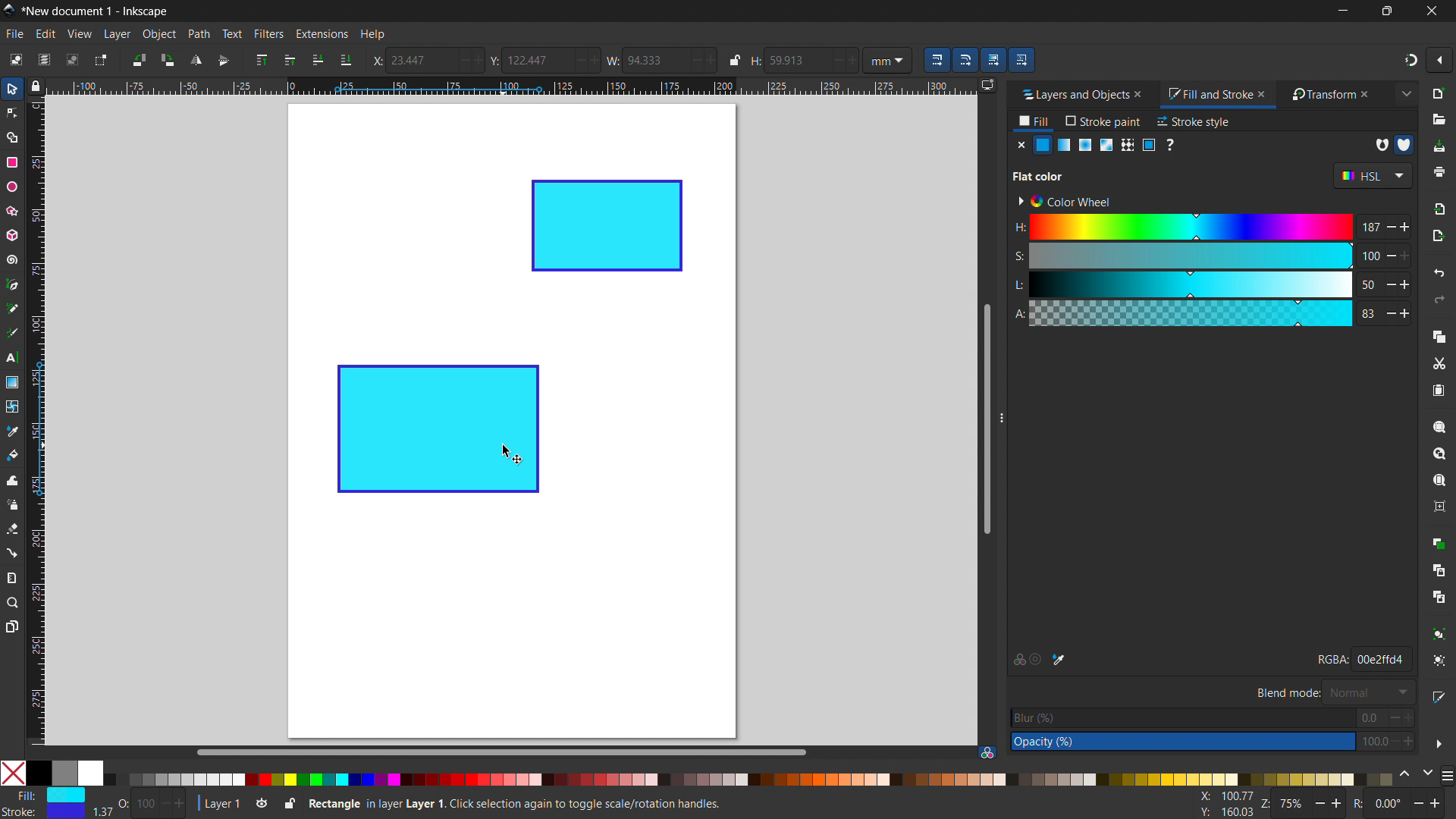 The image size is (1456, 819). Describe the element at coordinates (499, 752) in the screenshot. I see `horizontal scrollbar` at that location.